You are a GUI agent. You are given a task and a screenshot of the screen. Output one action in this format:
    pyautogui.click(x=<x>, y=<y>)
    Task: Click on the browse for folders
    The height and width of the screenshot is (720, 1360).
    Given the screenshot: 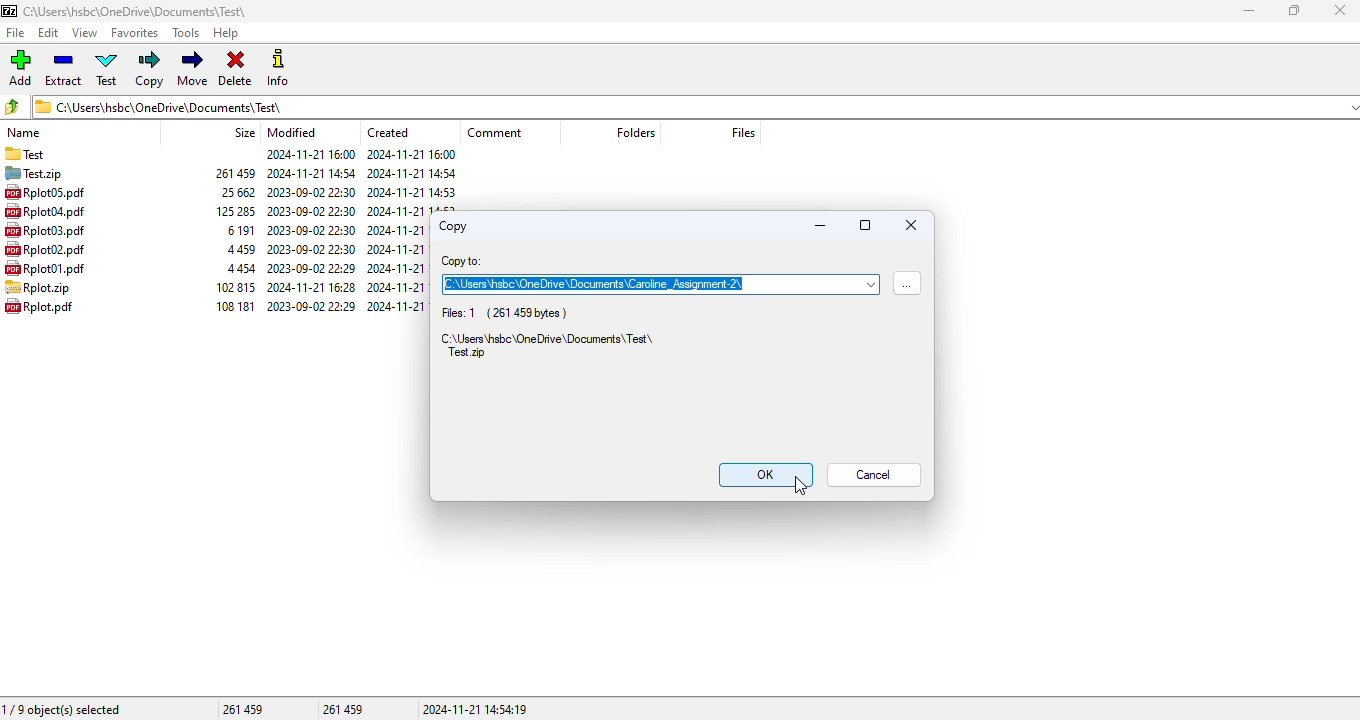 What is the action you would take?
    pyautogui.click(x=907, y=283)
    